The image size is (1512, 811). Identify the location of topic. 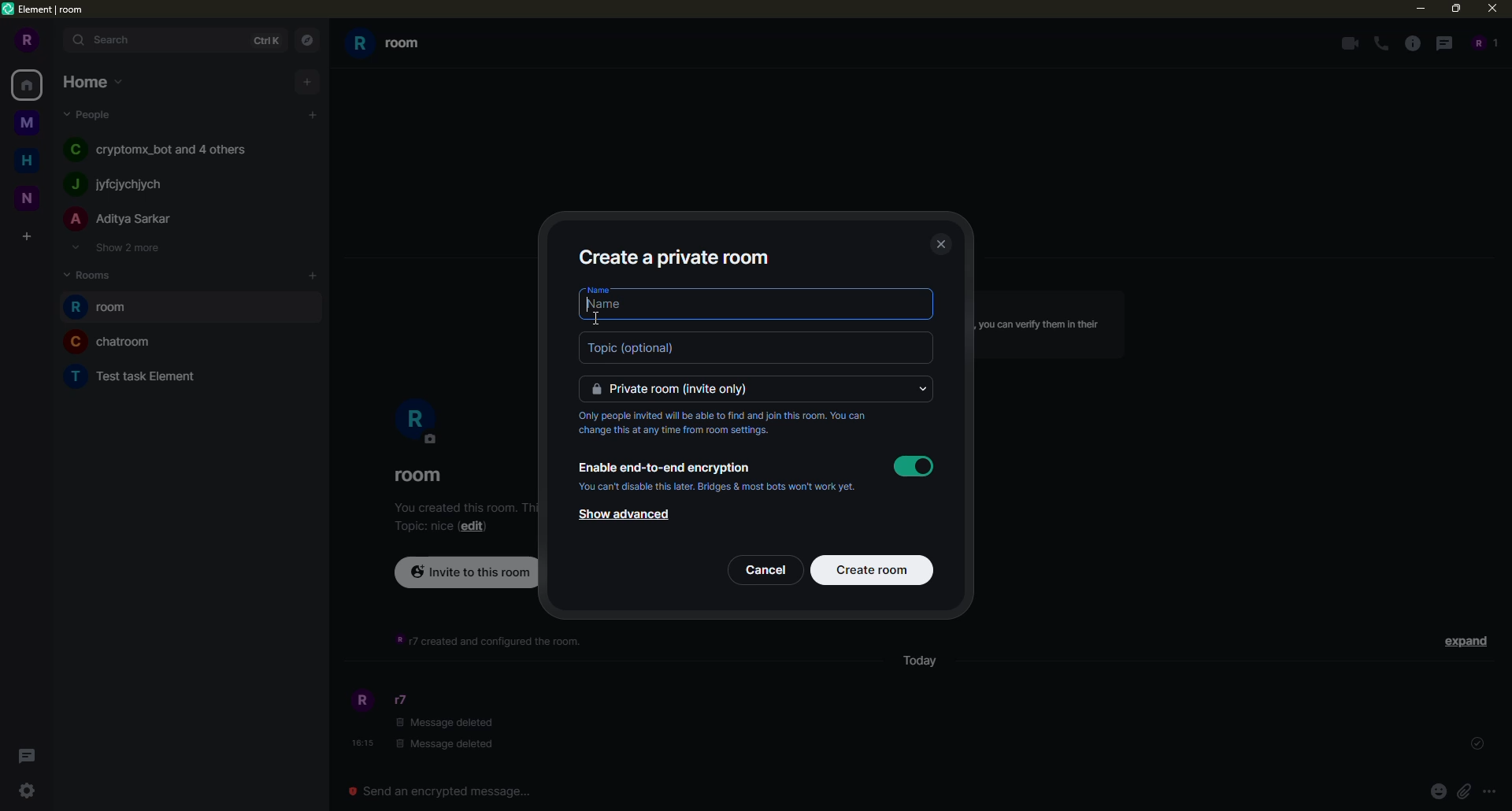
(755, 347).